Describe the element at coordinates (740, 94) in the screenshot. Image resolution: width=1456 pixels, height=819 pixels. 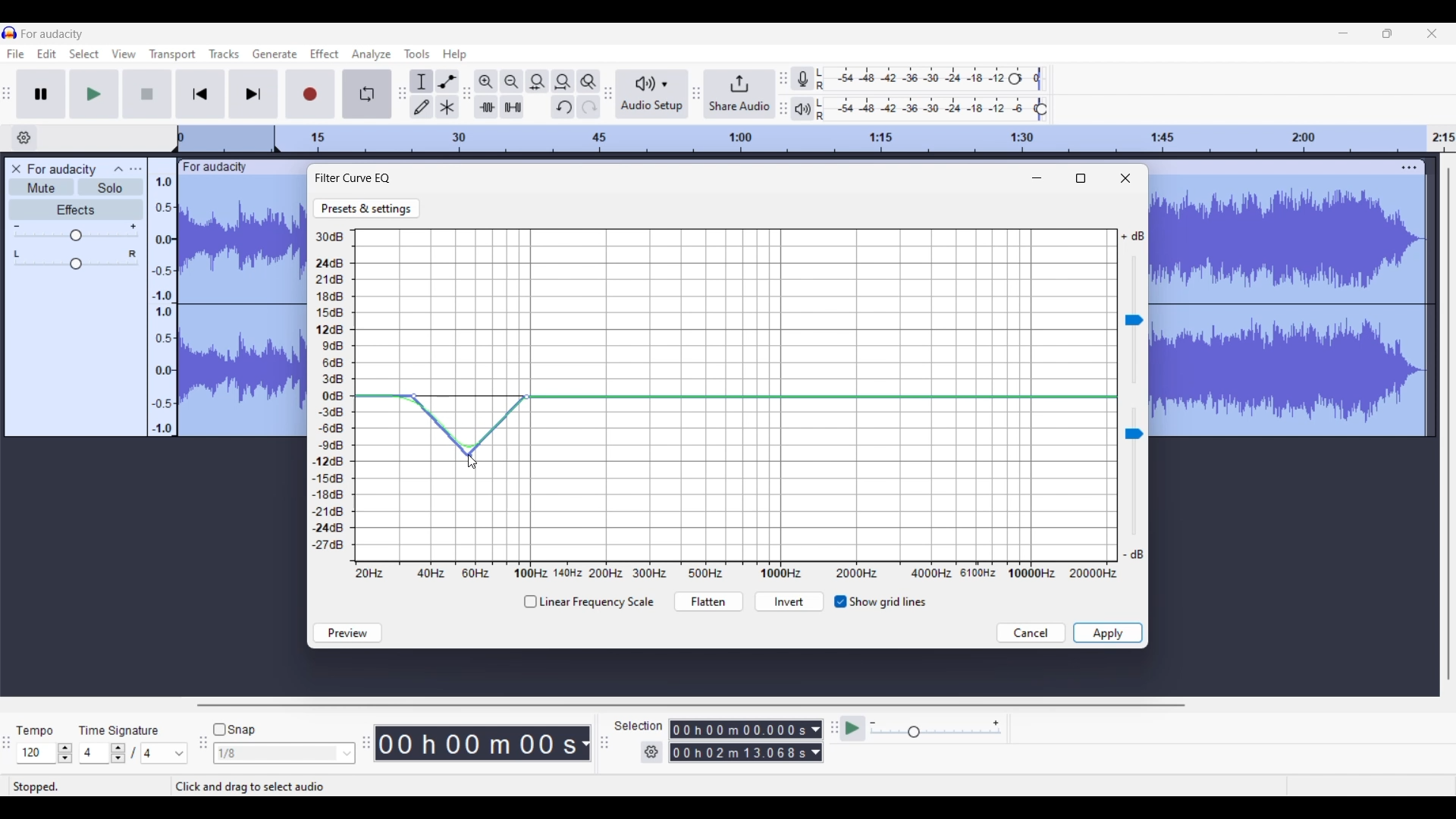
I see `Share audio` at that location.